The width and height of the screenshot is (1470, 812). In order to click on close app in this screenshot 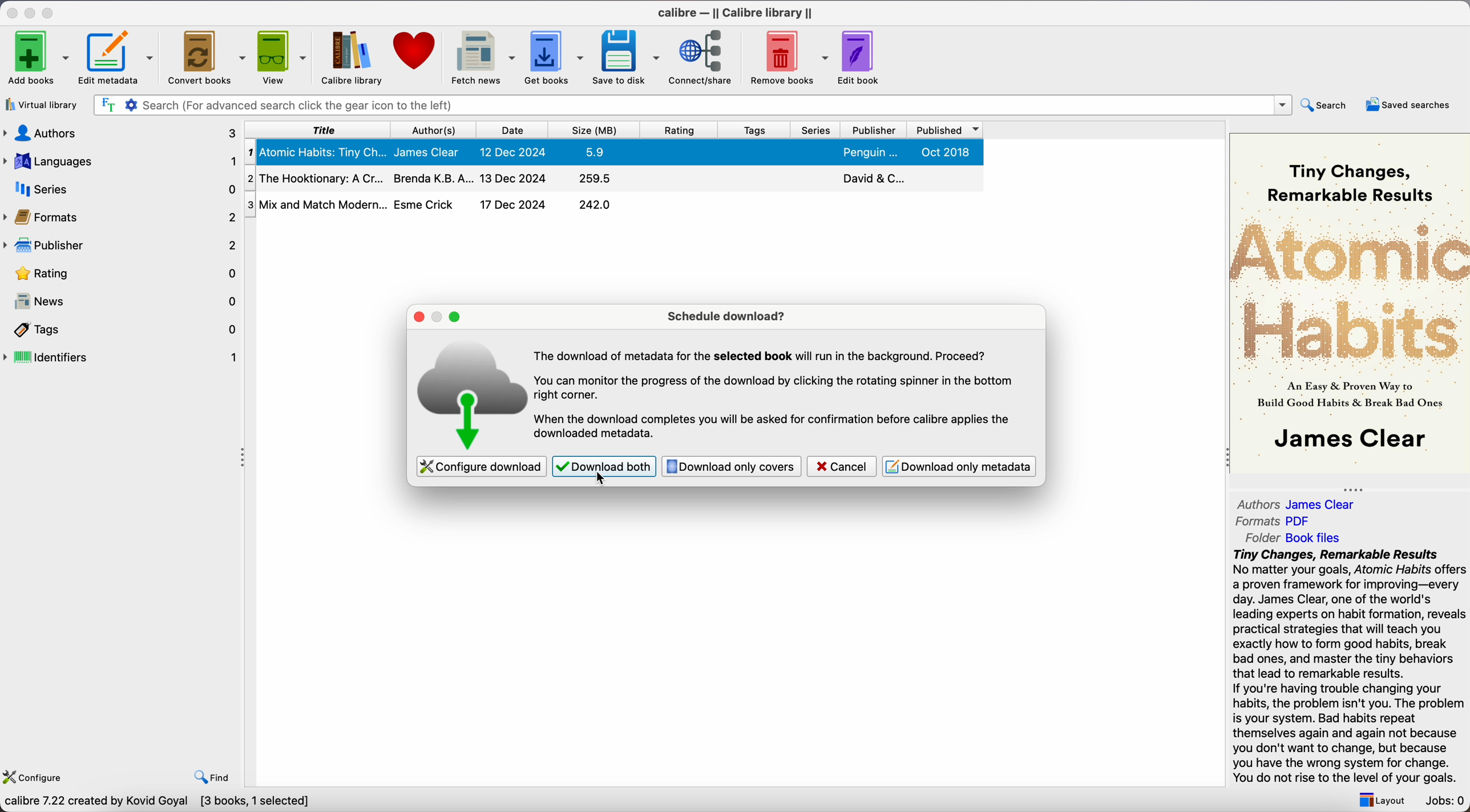, I will do `click(12, 13)`.